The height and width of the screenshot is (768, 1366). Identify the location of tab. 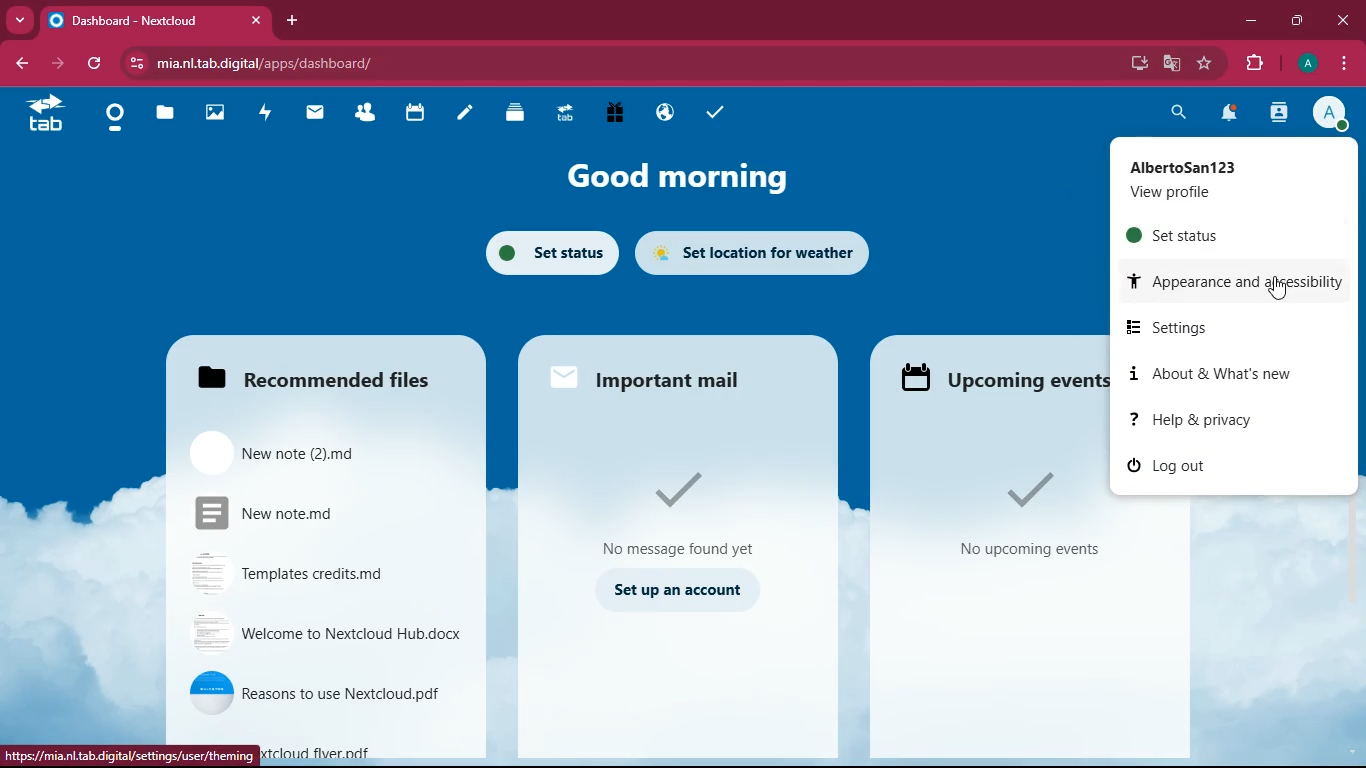
(154, 16).